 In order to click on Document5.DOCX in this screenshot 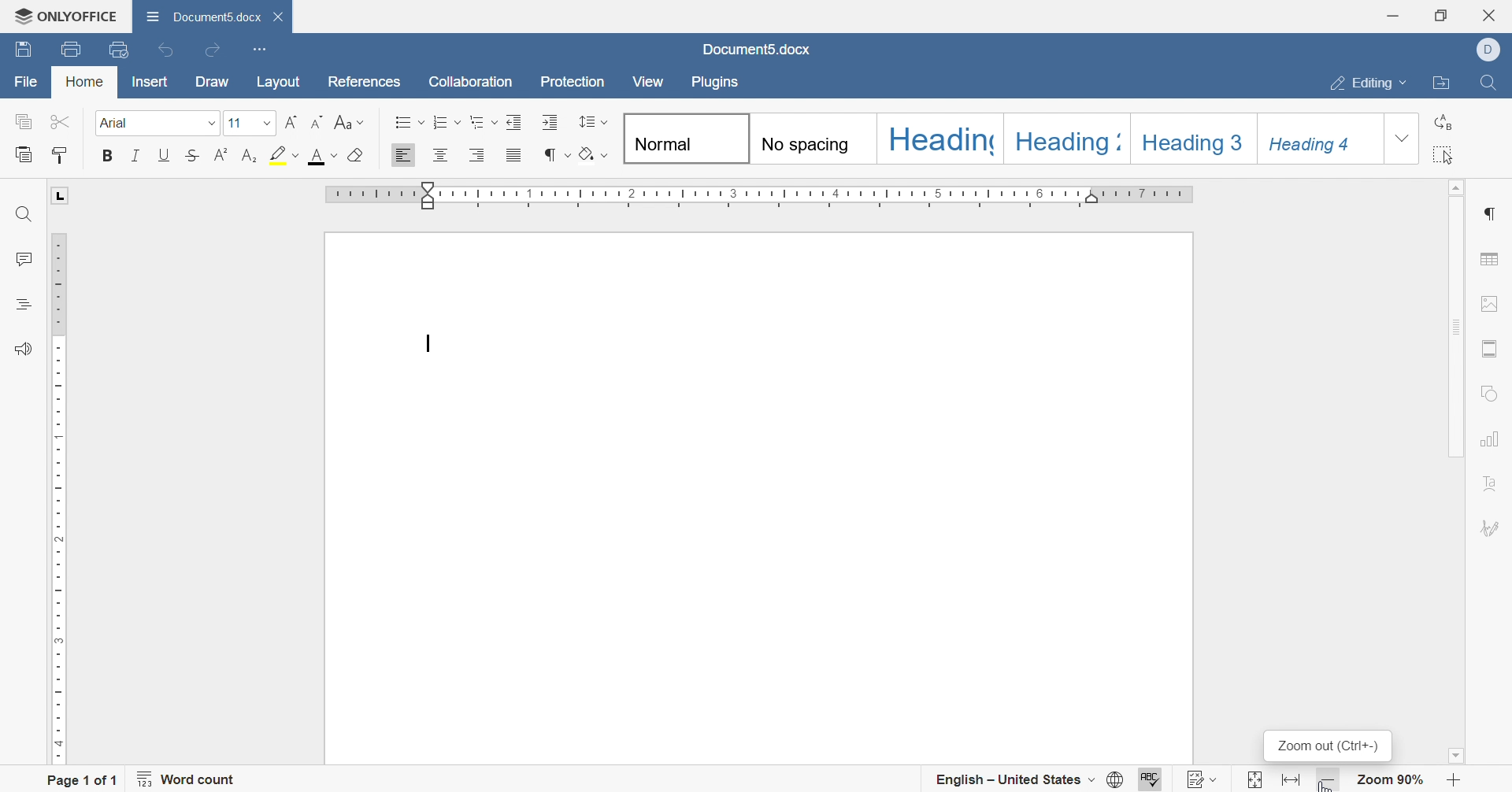, I will do `click(199, 17)`.